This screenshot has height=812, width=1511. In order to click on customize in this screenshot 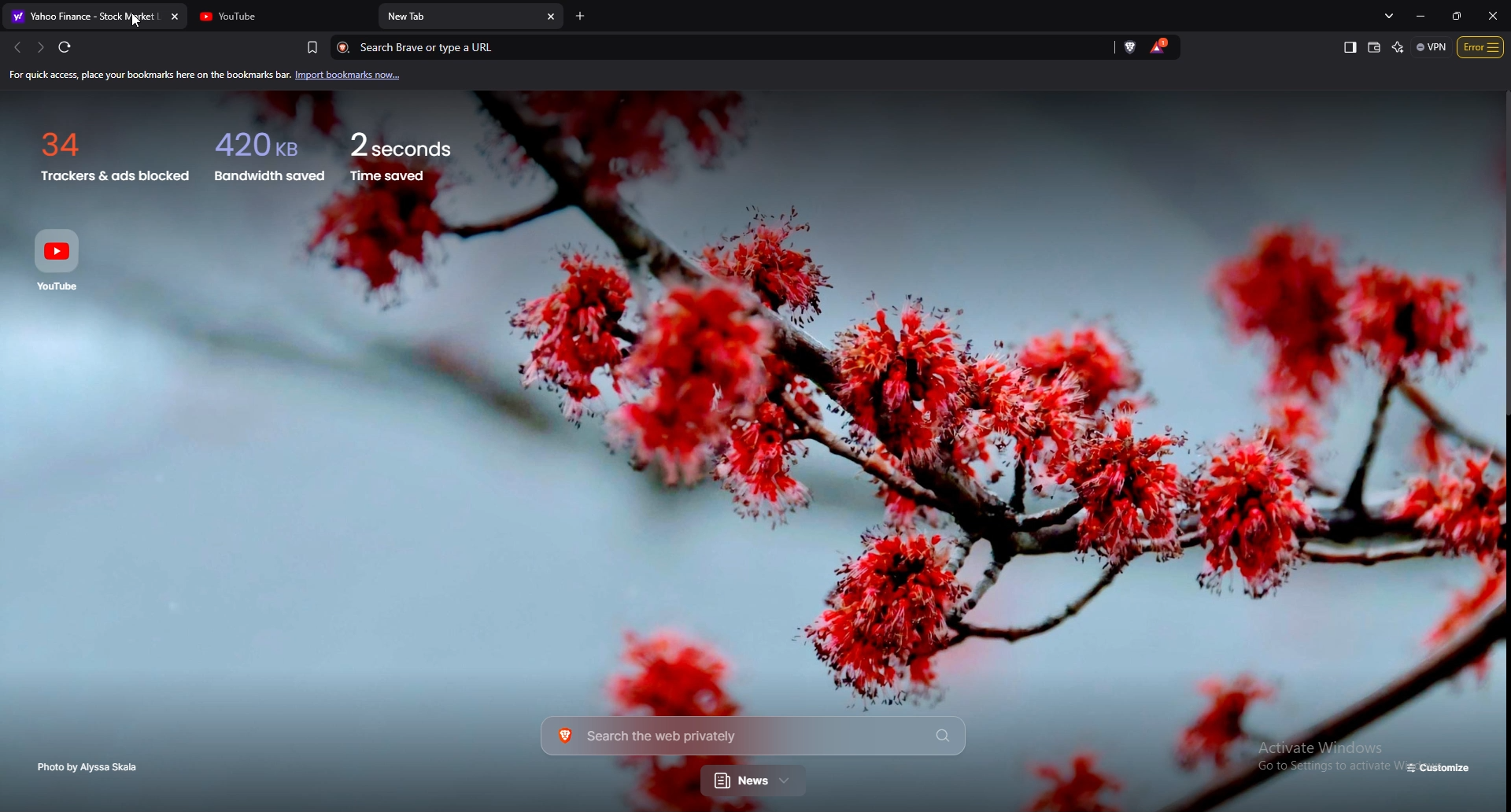, I will do `click(1440, 769)`.